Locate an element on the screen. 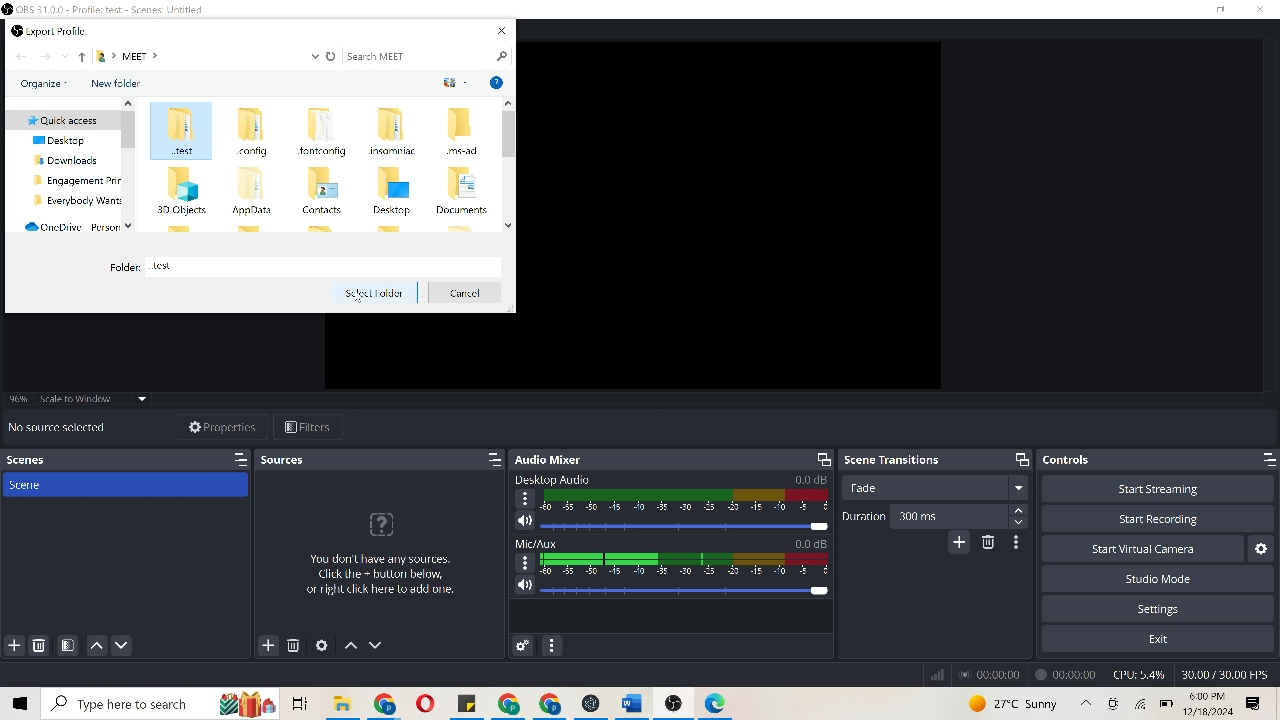 Image resolution: width=1280 pixels, height=720 pixels. scene is located at coordinates (128, 487).